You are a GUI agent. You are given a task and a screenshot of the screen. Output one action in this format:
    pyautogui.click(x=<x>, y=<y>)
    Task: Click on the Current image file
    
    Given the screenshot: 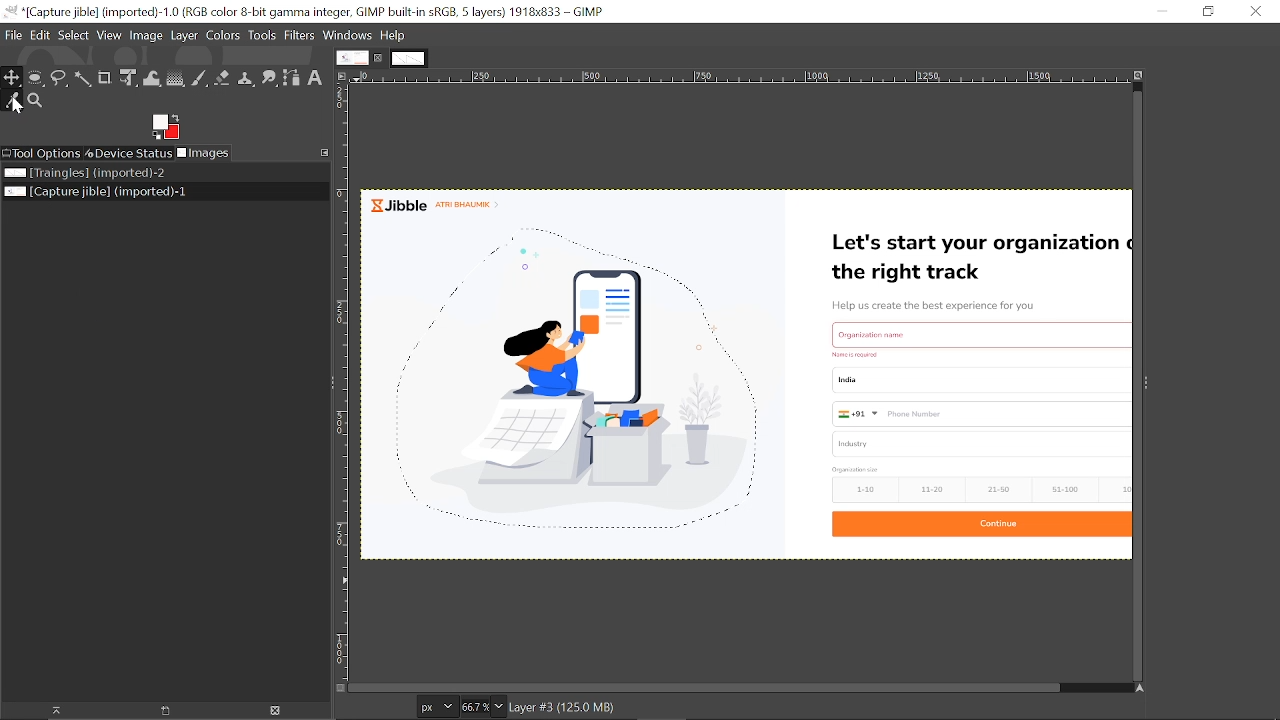 What is the action you would take?
    pyautogui.click(x=155, y=192)
    